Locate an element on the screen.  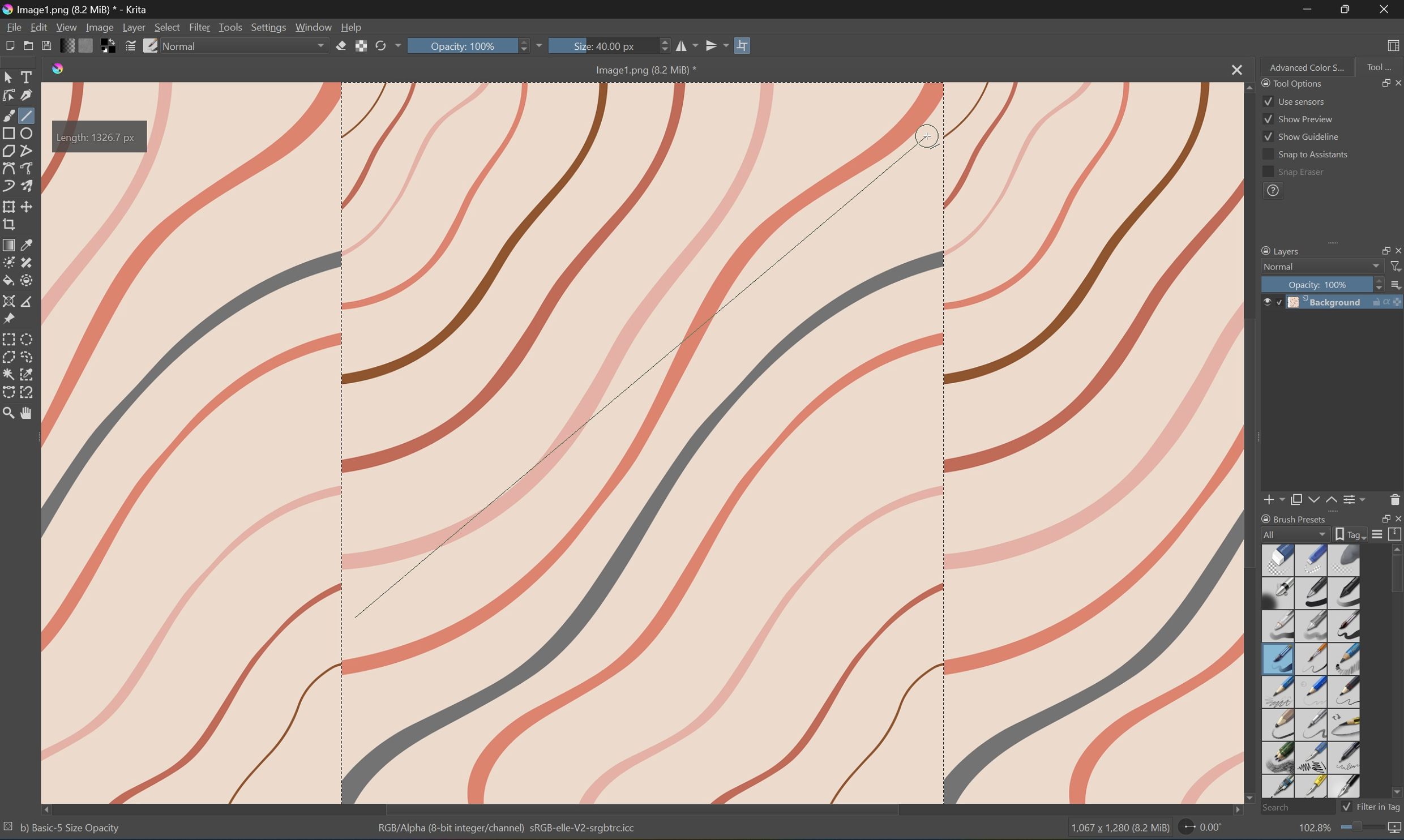
RGB Alpha (8-bit integer/channel) sRGB-elle-V2-srgbcicc is located at coordinates (508, 830).